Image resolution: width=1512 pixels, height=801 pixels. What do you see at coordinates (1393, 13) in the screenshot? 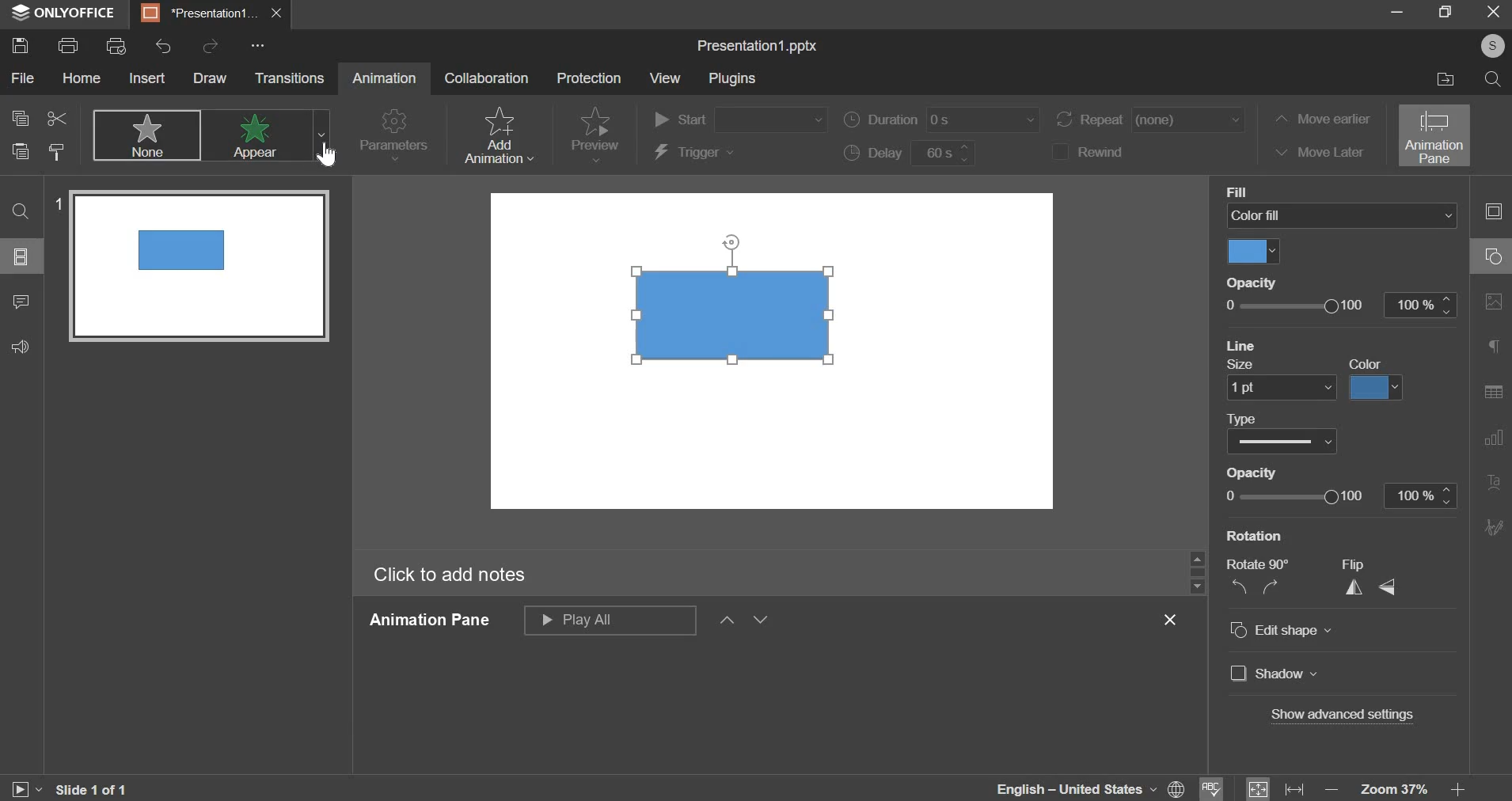
I see `minimize` at bounding box center [1393, 13].